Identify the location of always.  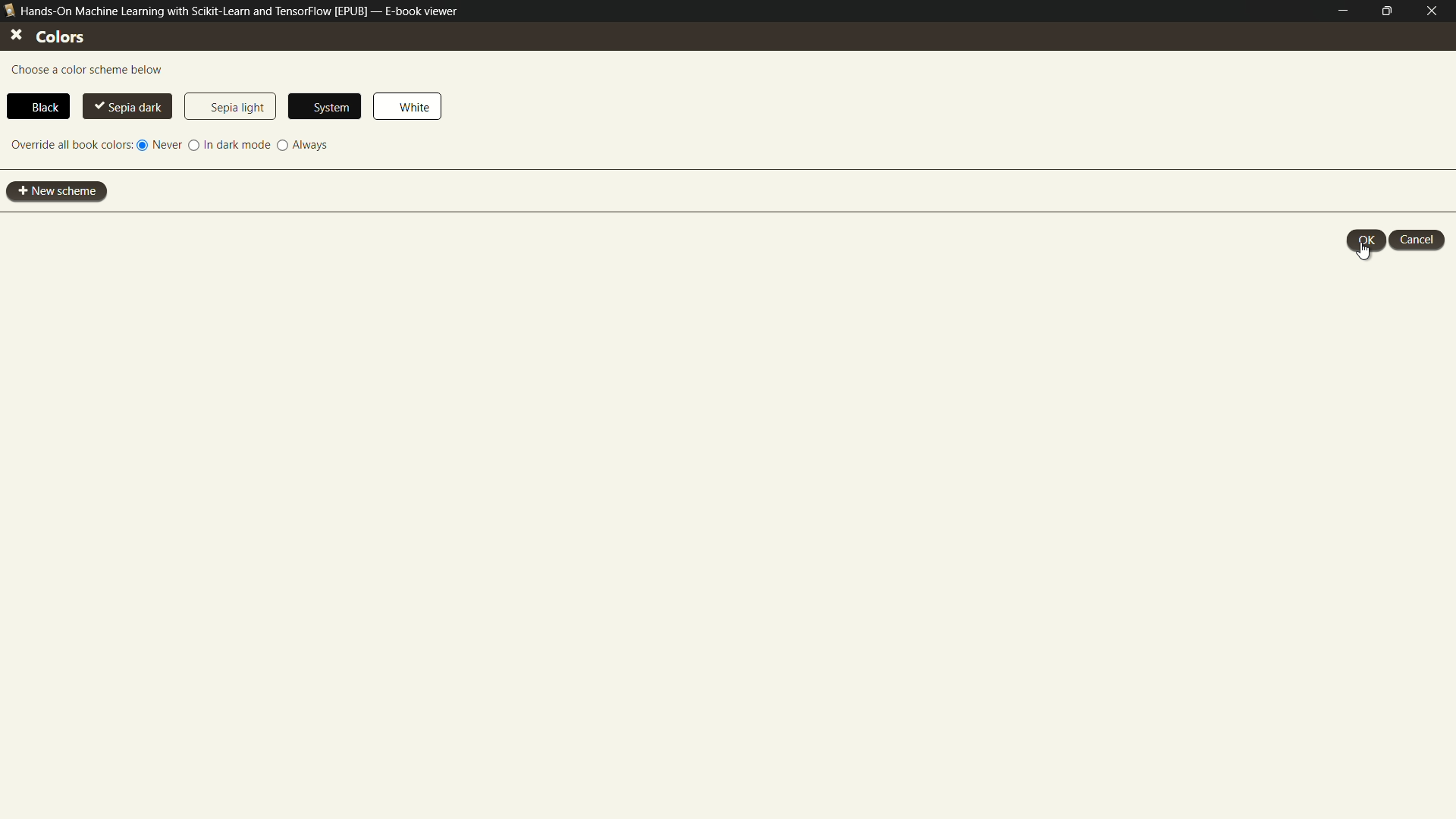
(306, 146).